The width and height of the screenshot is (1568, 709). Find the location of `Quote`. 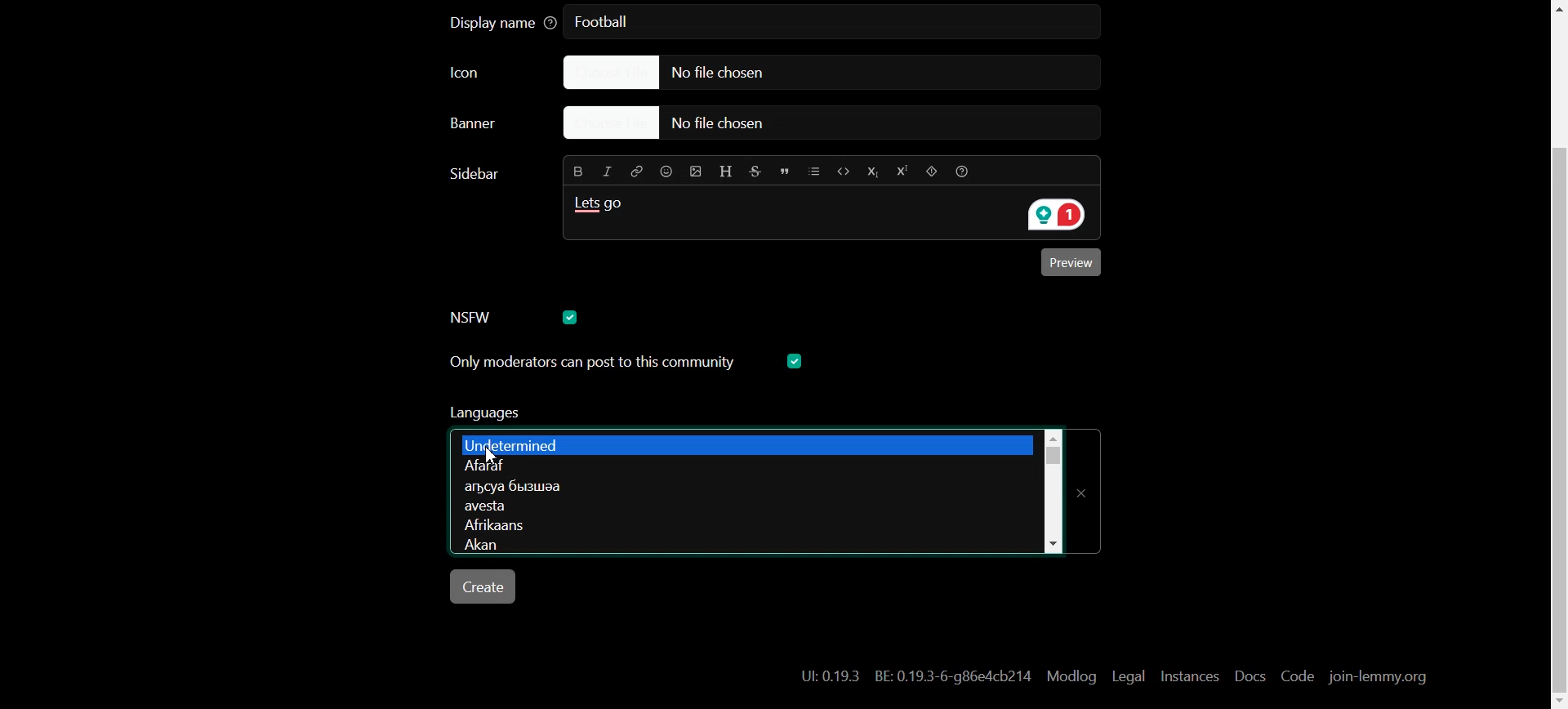

Quote is located at coordinates (786, 170).